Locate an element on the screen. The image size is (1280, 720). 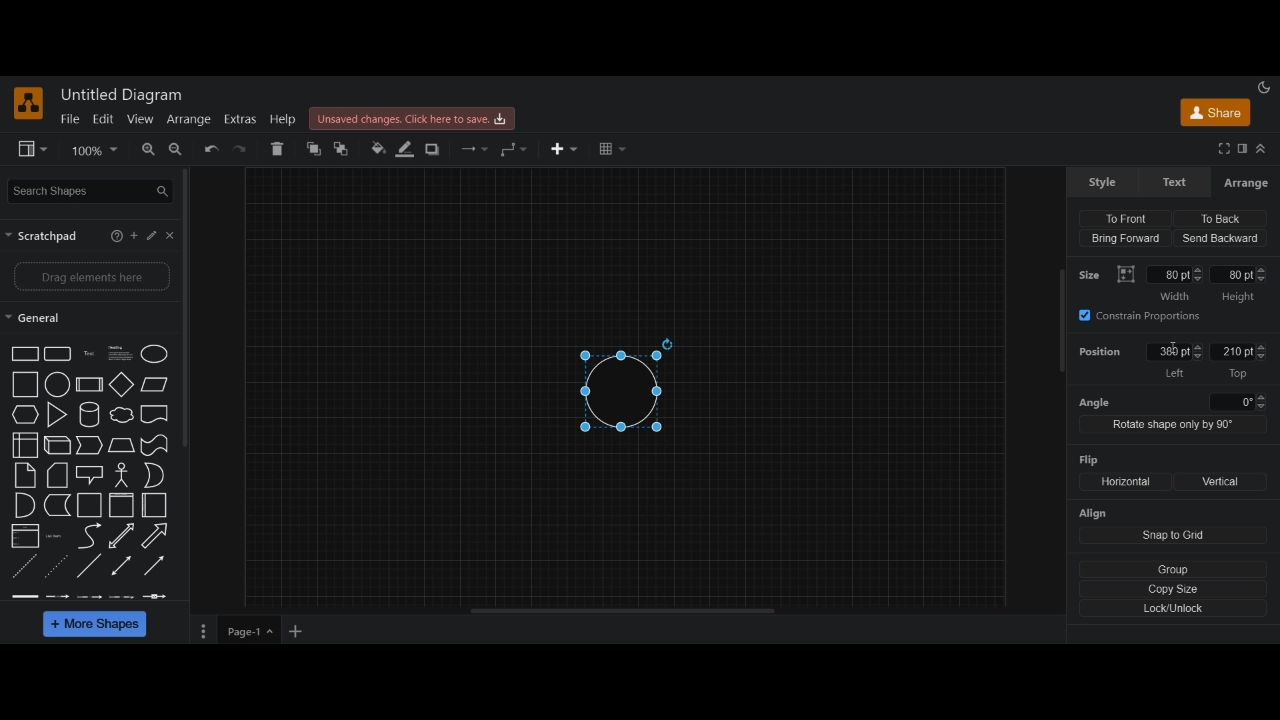
dotted line is located at coordinates (25, 568).